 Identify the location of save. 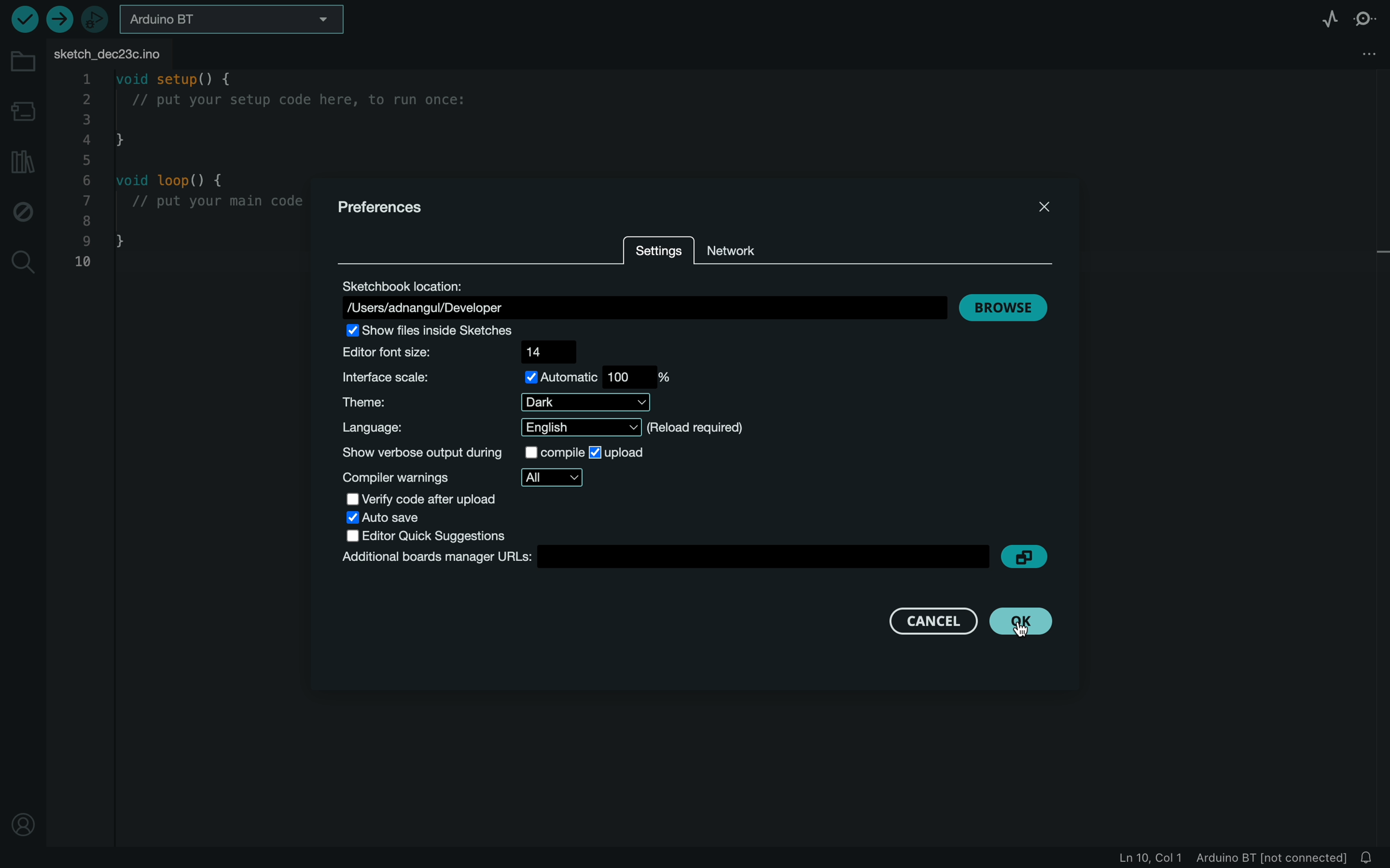
(384, 517).